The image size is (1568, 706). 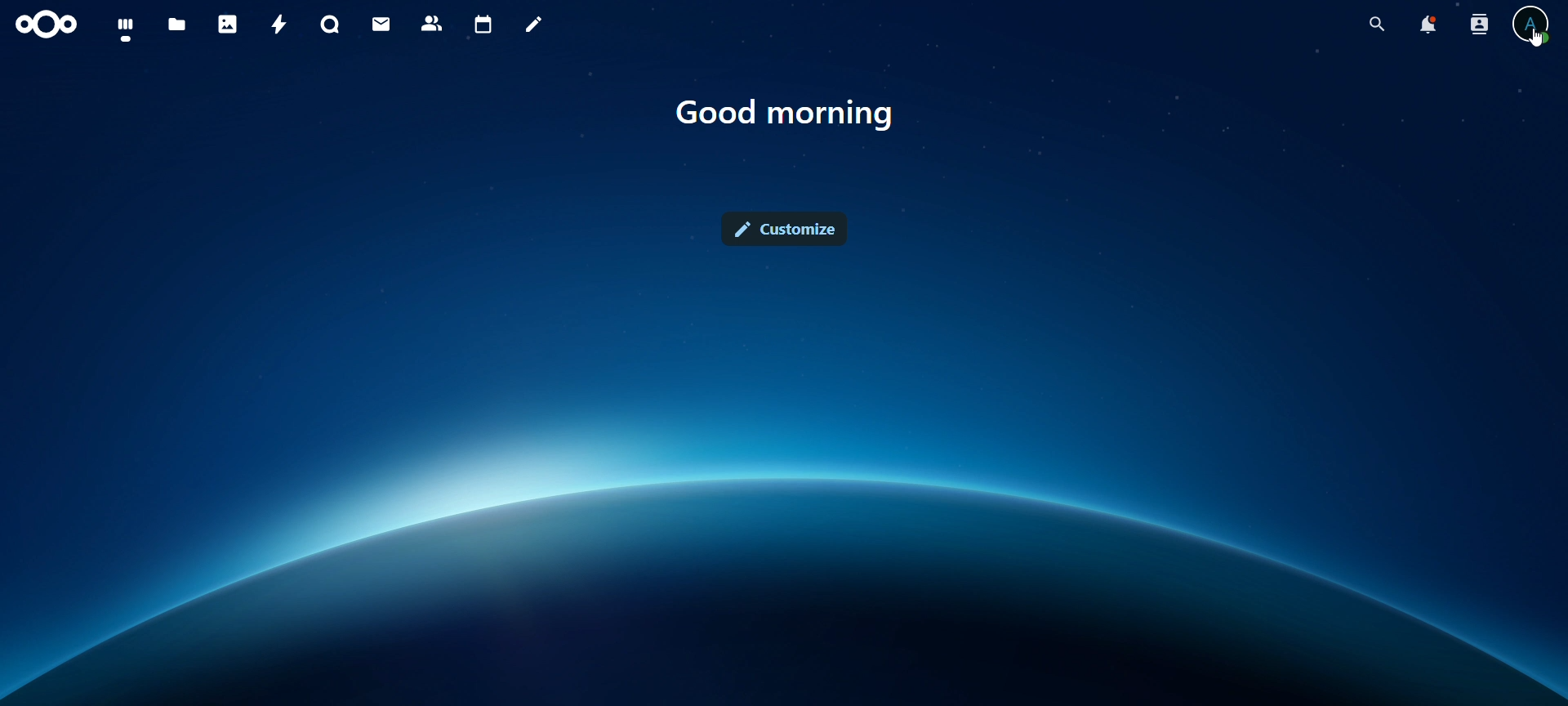 I want to click on search, so click(x=1373, y=25).